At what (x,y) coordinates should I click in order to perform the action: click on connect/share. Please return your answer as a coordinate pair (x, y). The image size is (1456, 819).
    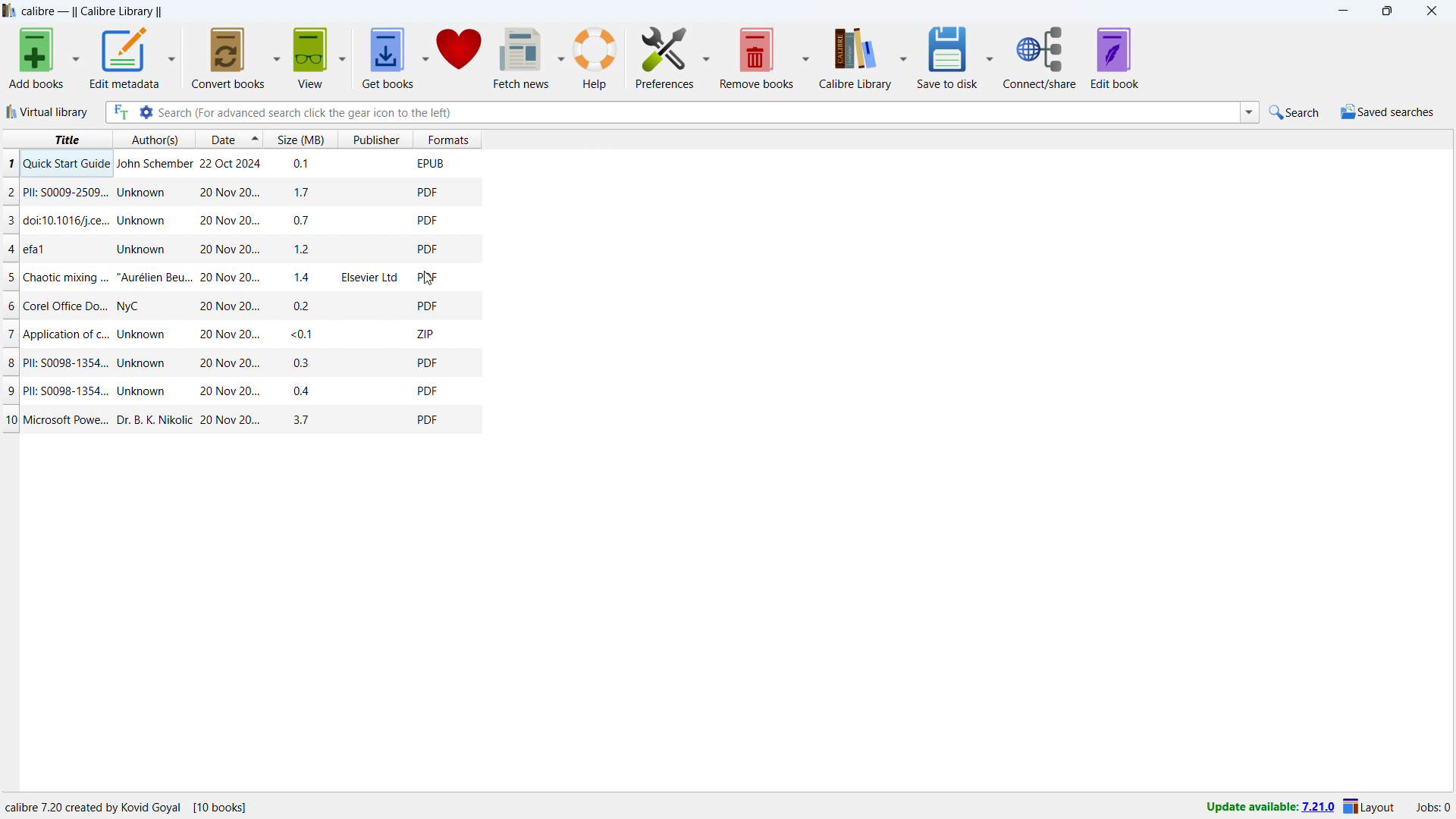
    Looking at the image, I should click on (1040, 58).